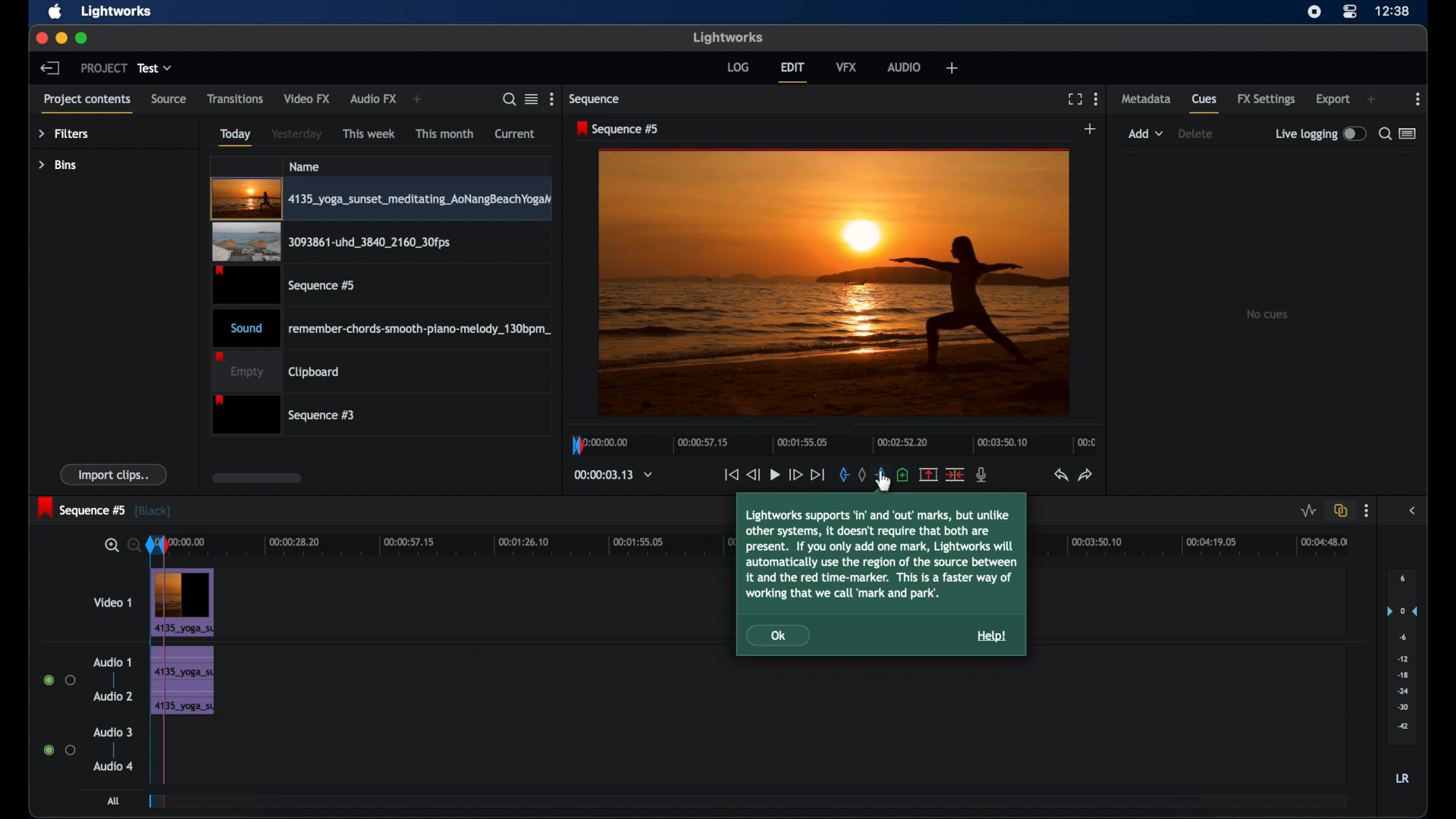 The image size is (1456, 819). I want to click on radio button, so click(59, 750).